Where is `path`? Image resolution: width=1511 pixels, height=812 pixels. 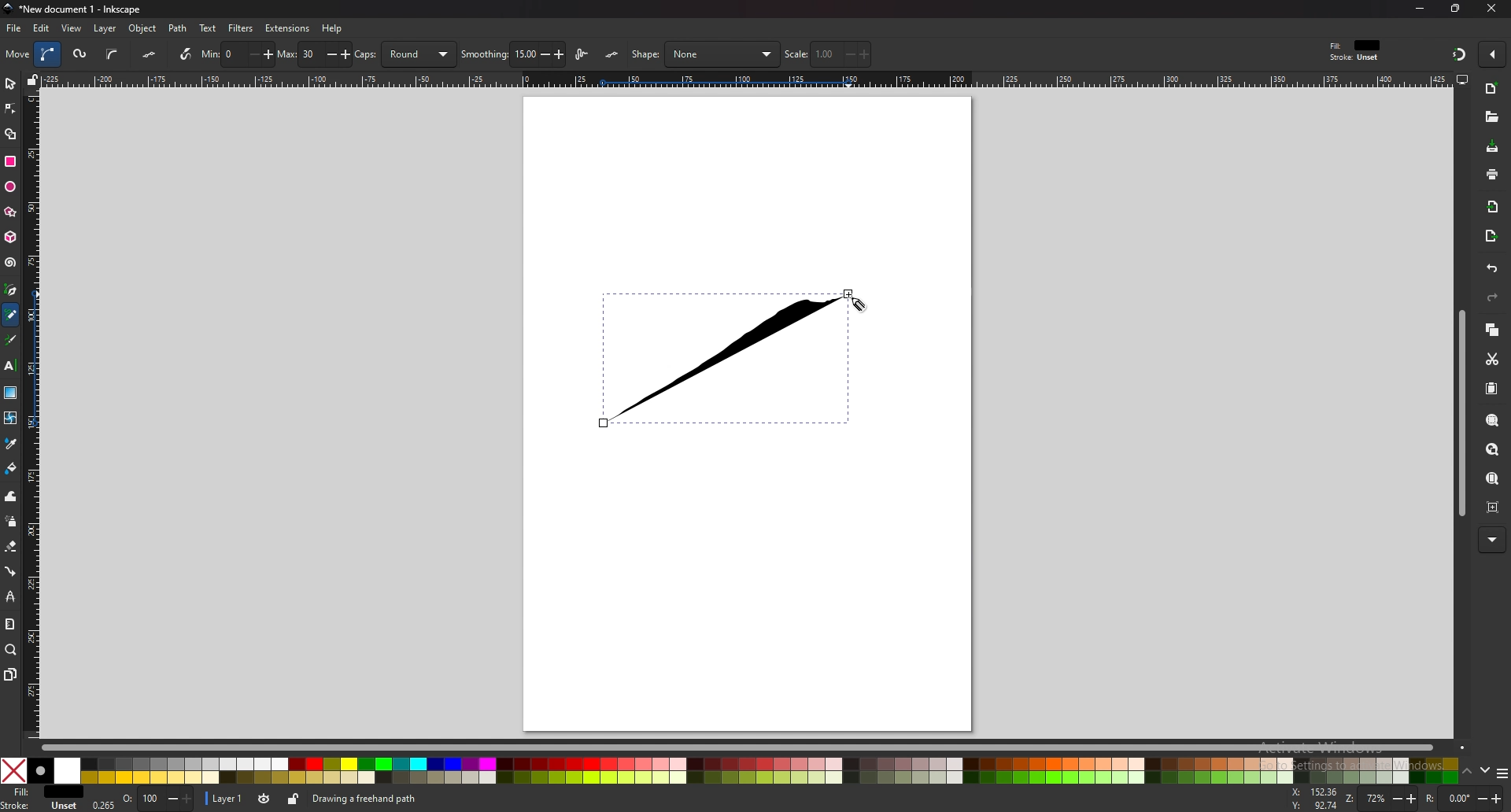
path is located at coordinates (179, 28).